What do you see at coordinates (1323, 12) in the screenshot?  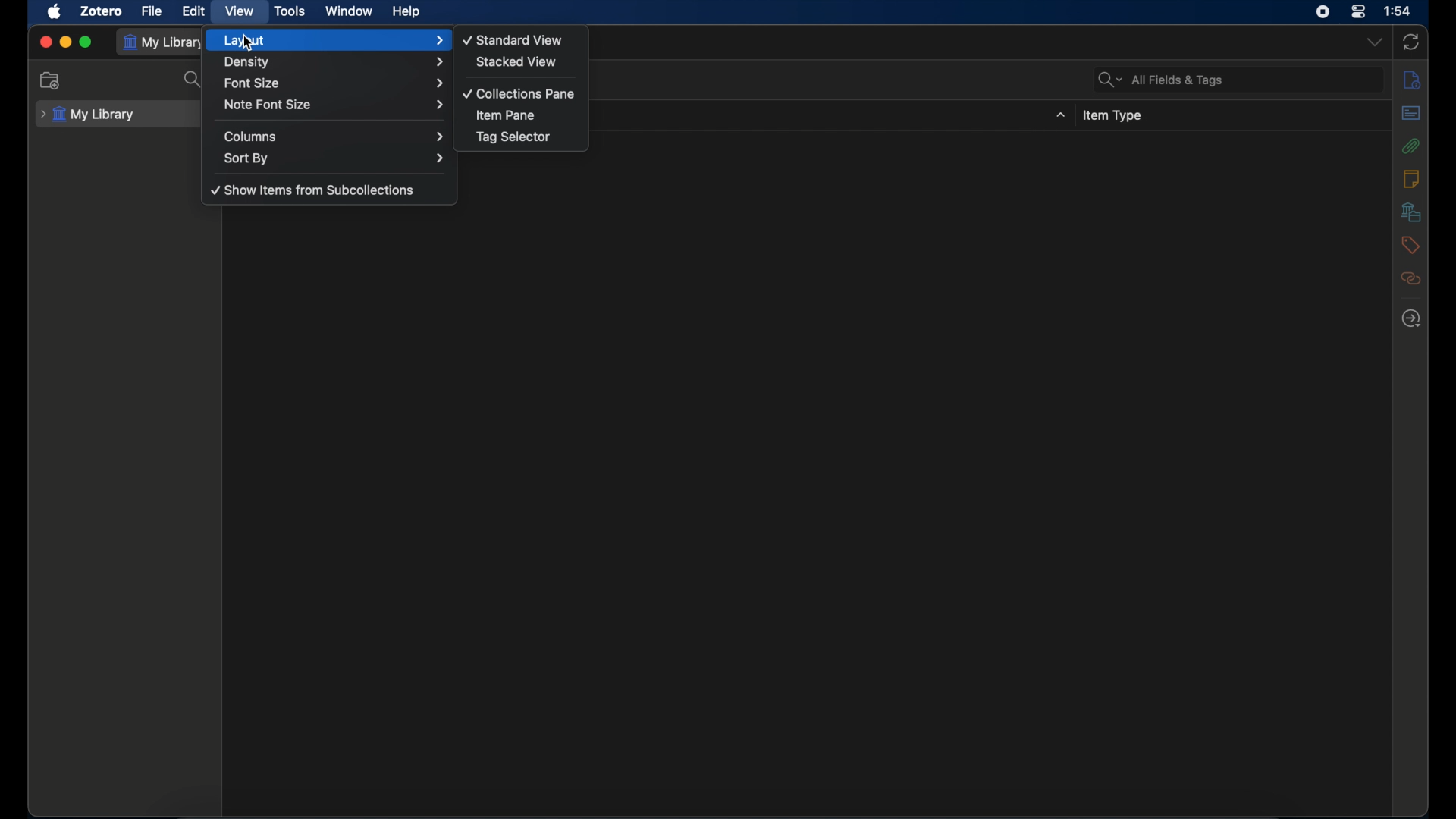 I see `screen recorder` at bounding box center [1323, 12].